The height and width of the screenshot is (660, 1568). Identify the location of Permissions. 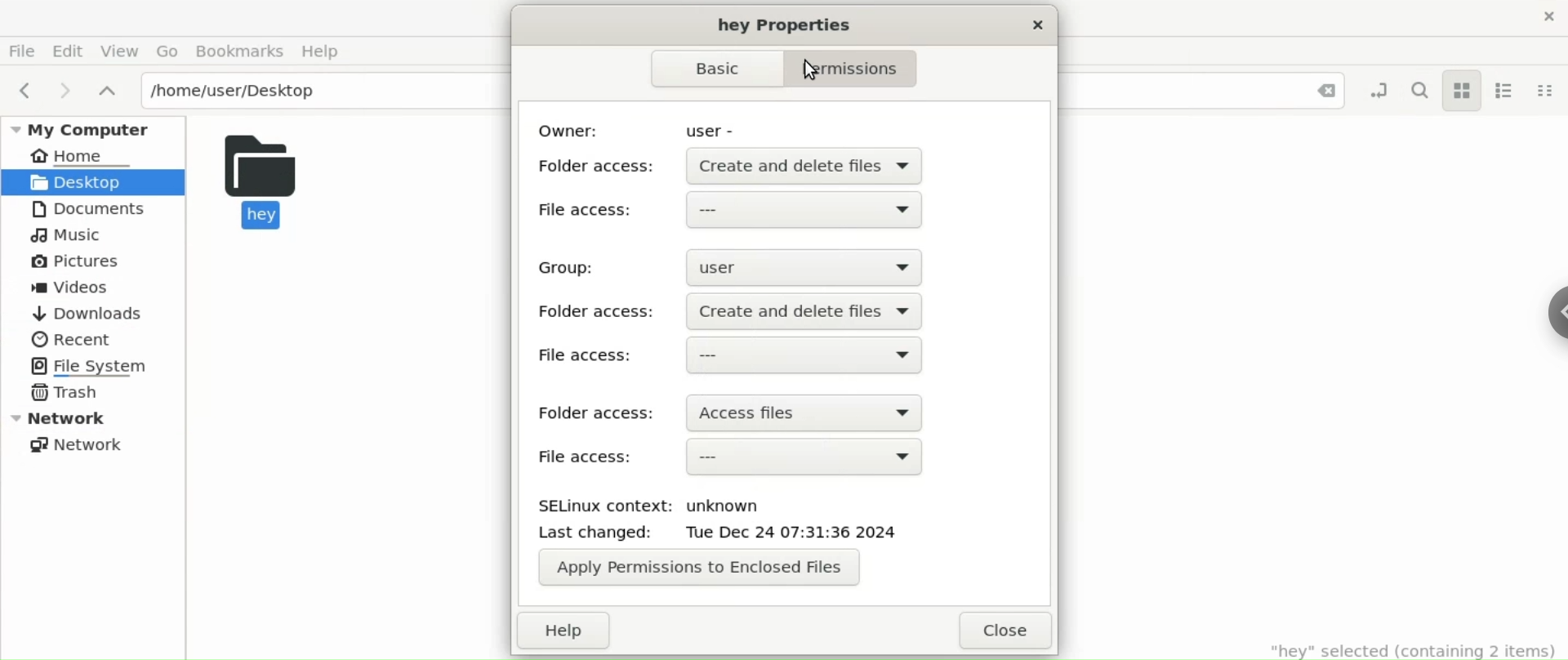
(866, 69).